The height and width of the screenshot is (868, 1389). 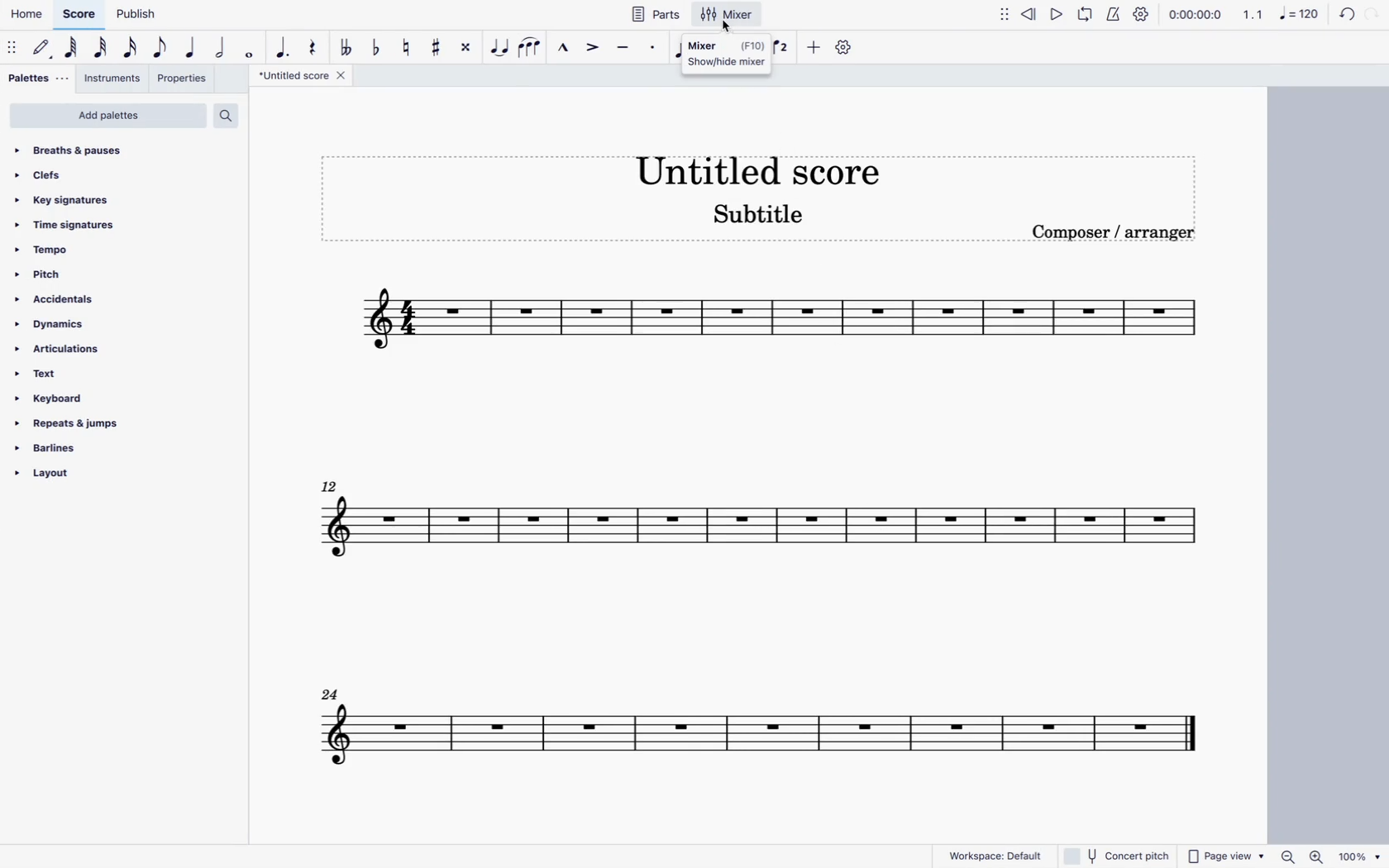 What do you see at coordinates (313, 44) in the screenshot?
I see `rest` at bounding box center [313, 44].